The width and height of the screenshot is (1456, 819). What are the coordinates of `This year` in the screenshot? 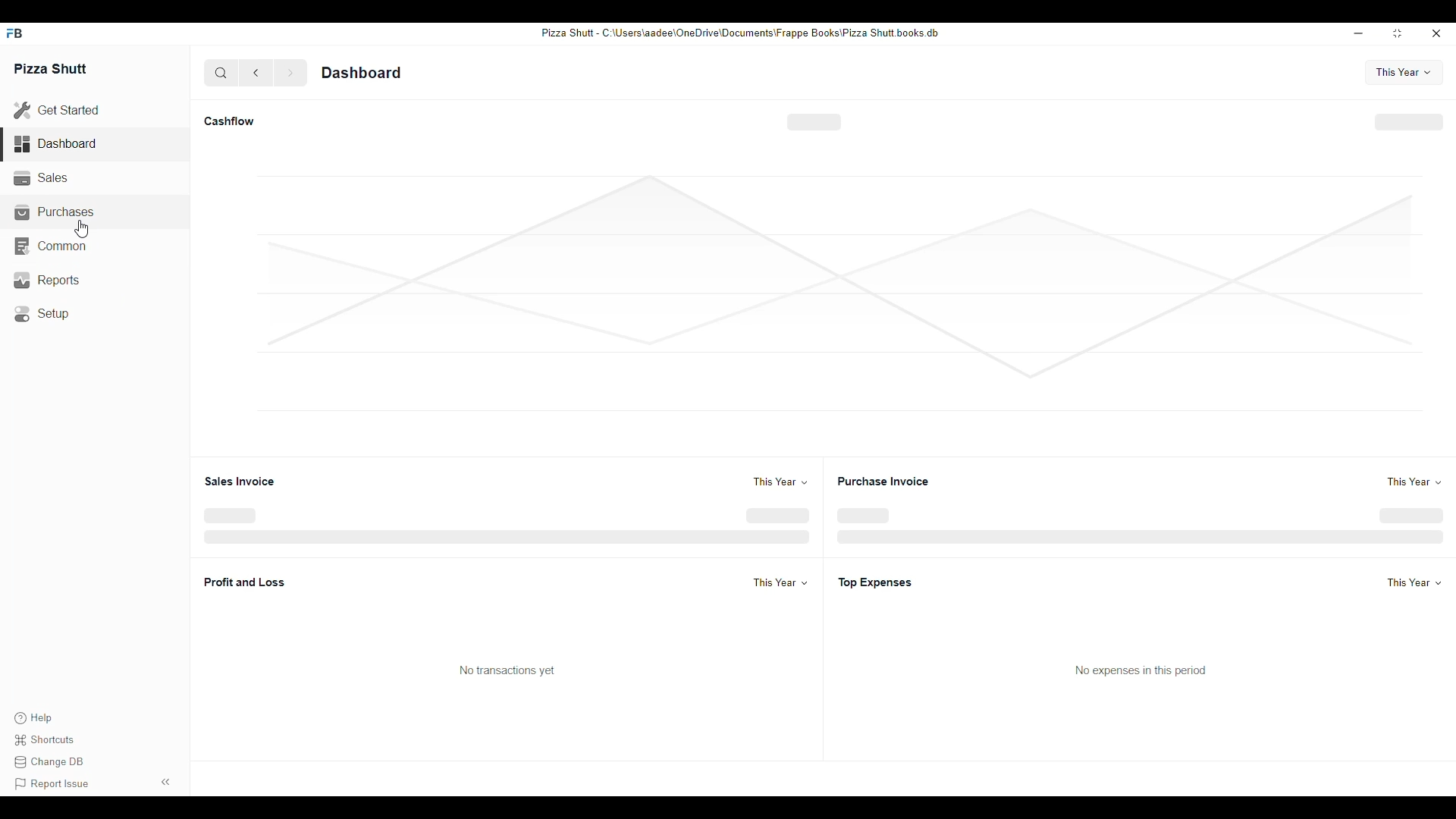 It's located at (1414, 583).